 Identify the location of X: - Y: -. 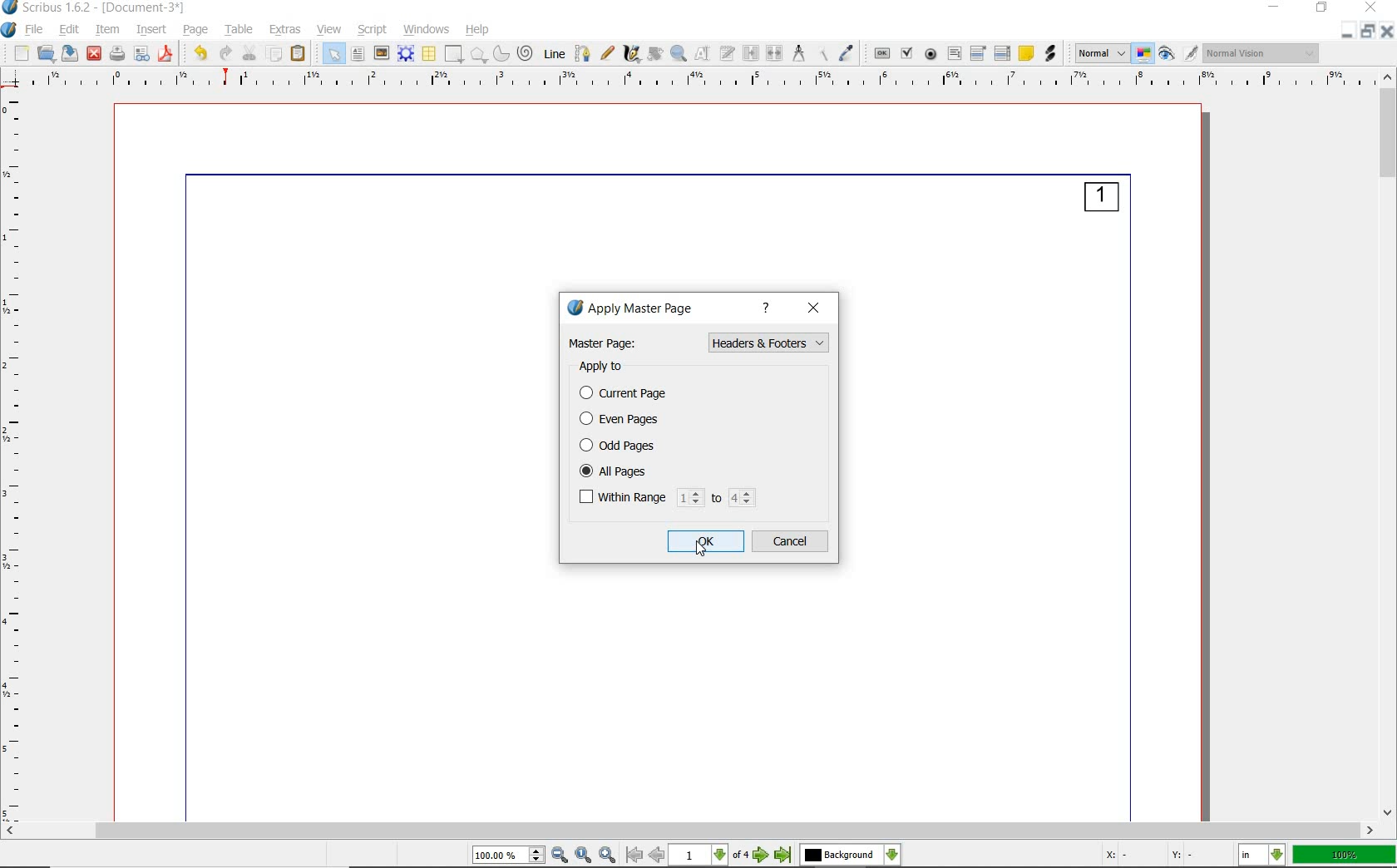
(1148, 856).